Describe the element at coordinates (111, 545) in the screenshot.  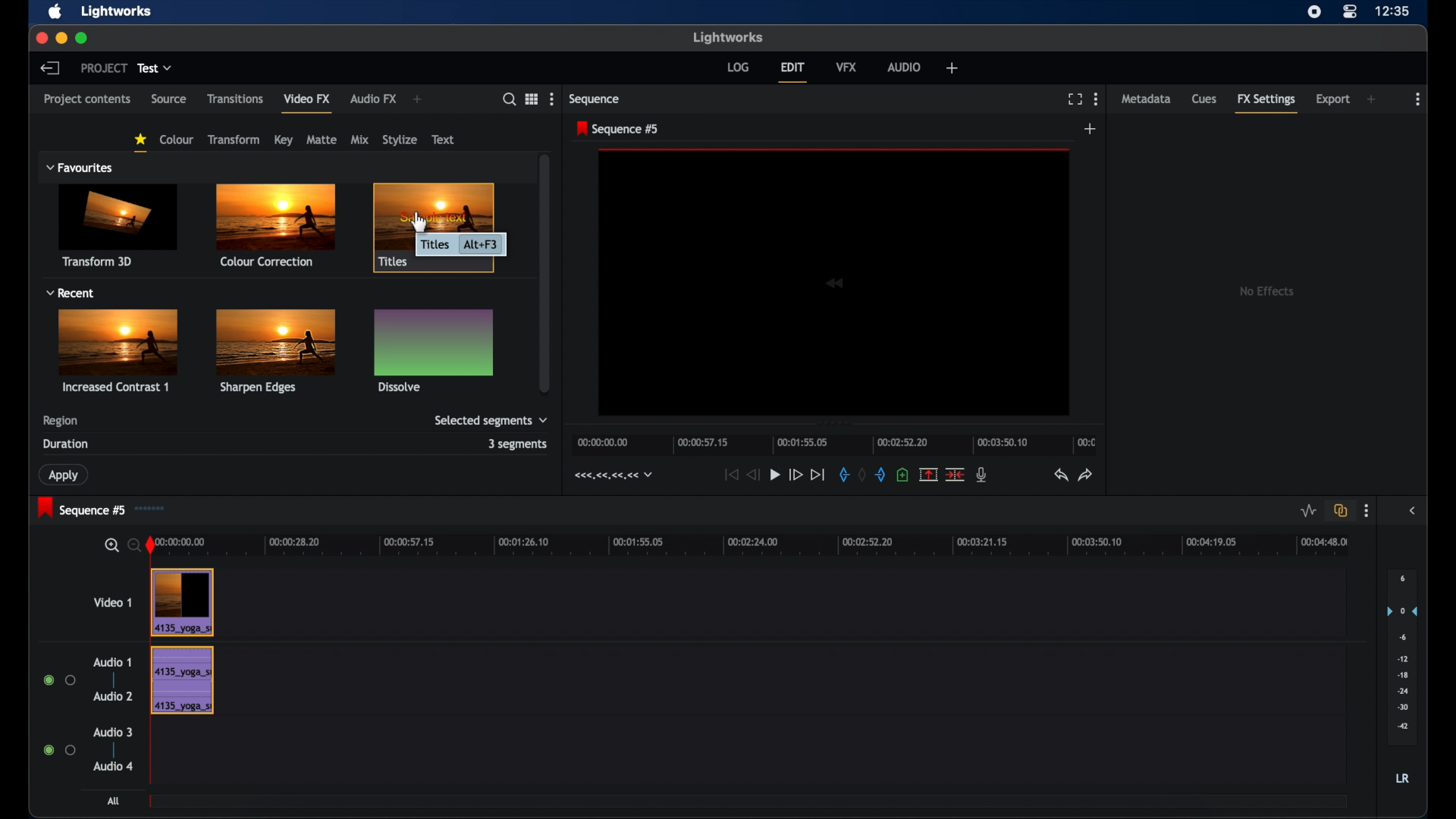
I see `zoom in` at that location.